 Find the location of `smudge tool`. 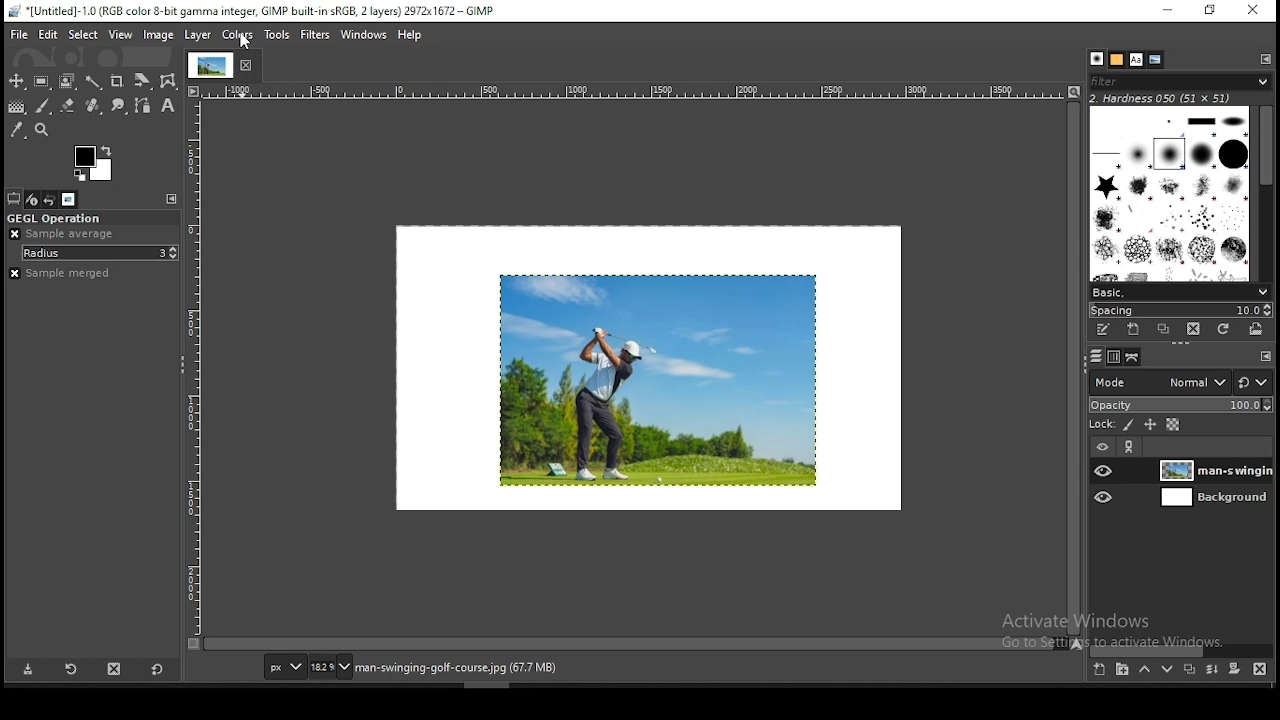

smudge tool is located at coordinates (124, 106).